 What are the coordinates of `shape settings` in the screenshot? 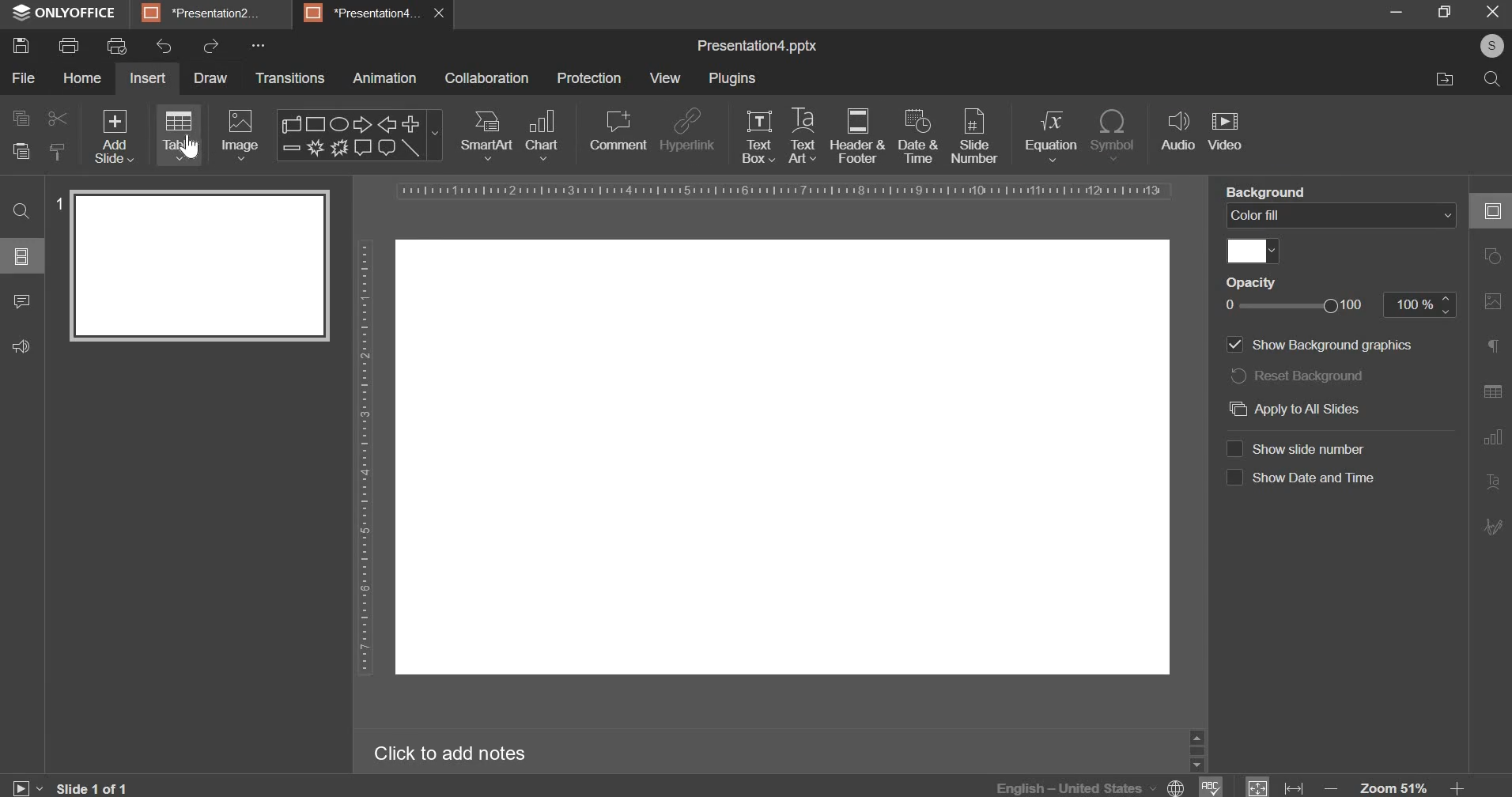 It's located at (1497, 256).